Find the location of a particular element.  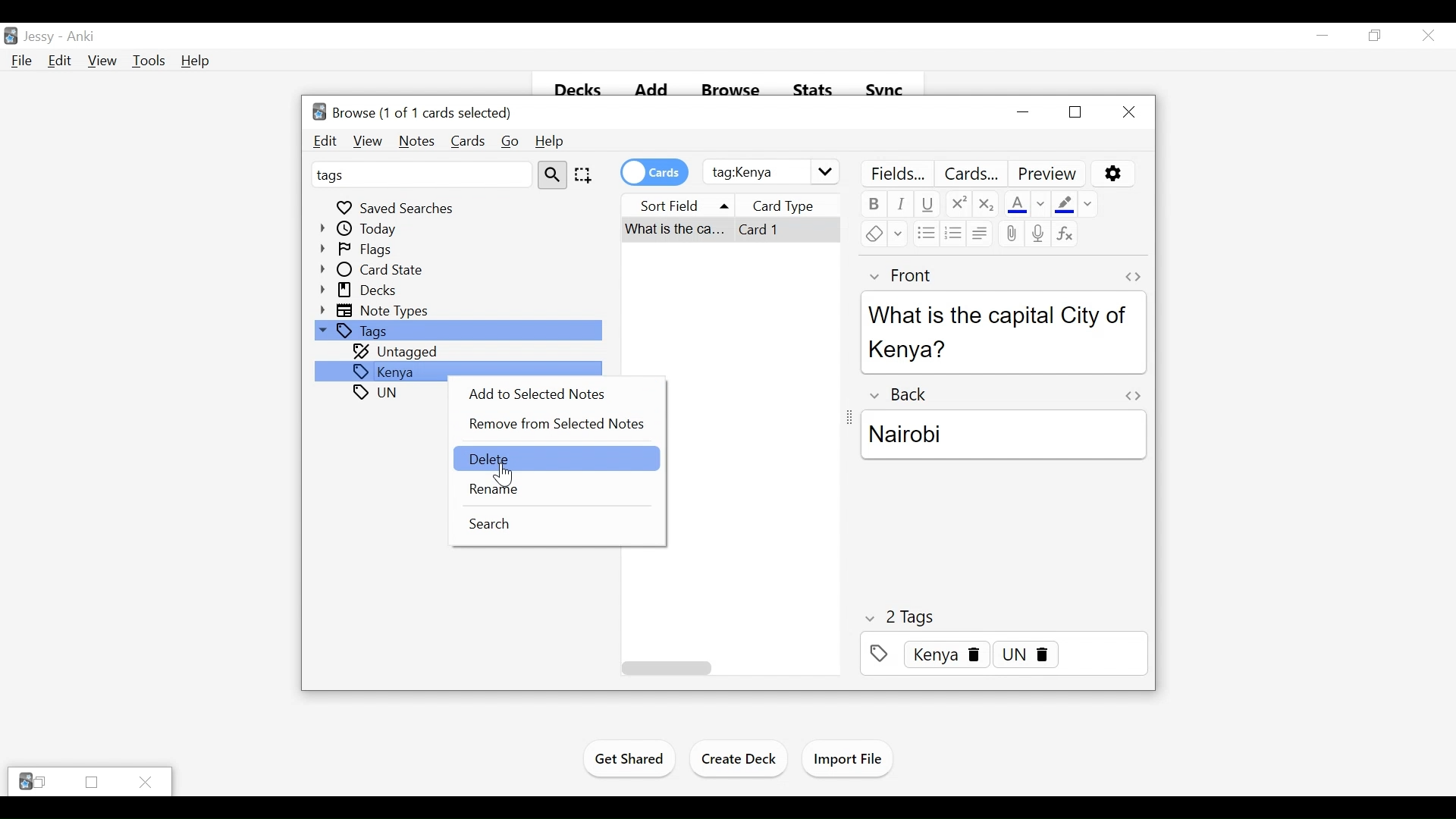

Bold  is located at coordinates (873, 205).